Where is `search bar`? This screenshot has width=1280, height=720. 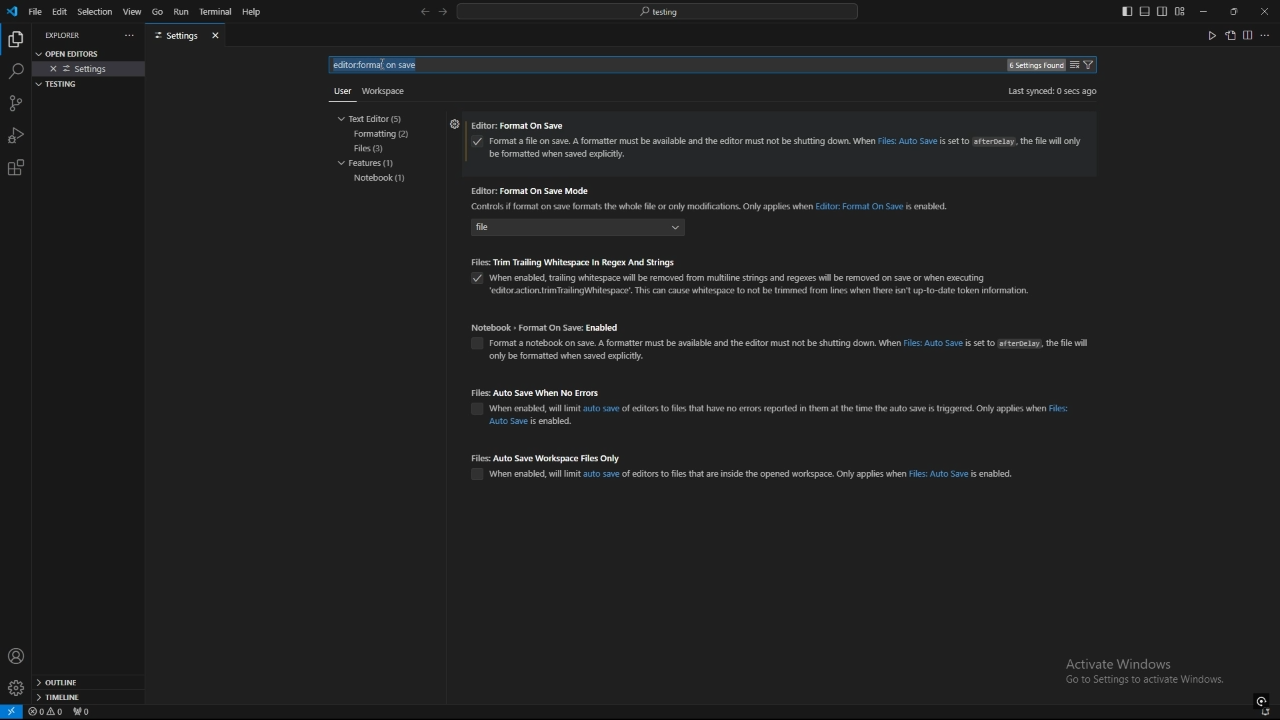
search bar is located at coordinates (657, 11).